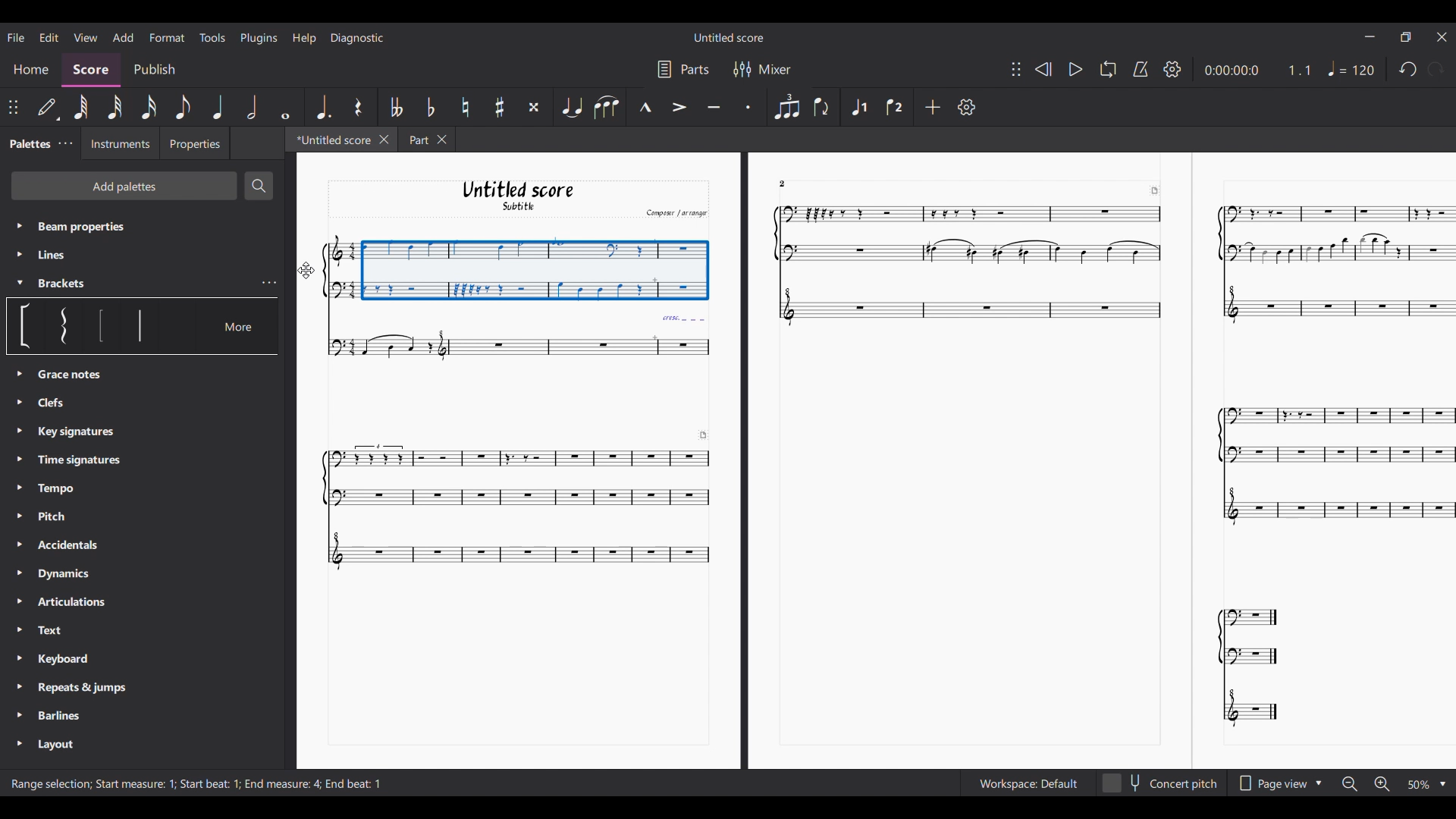 This screenshot has width=1456, height=819. What do you see at coordinates (75, 661) in the screenshot?
I see `Keyboard` at bounding box center [75, 661].